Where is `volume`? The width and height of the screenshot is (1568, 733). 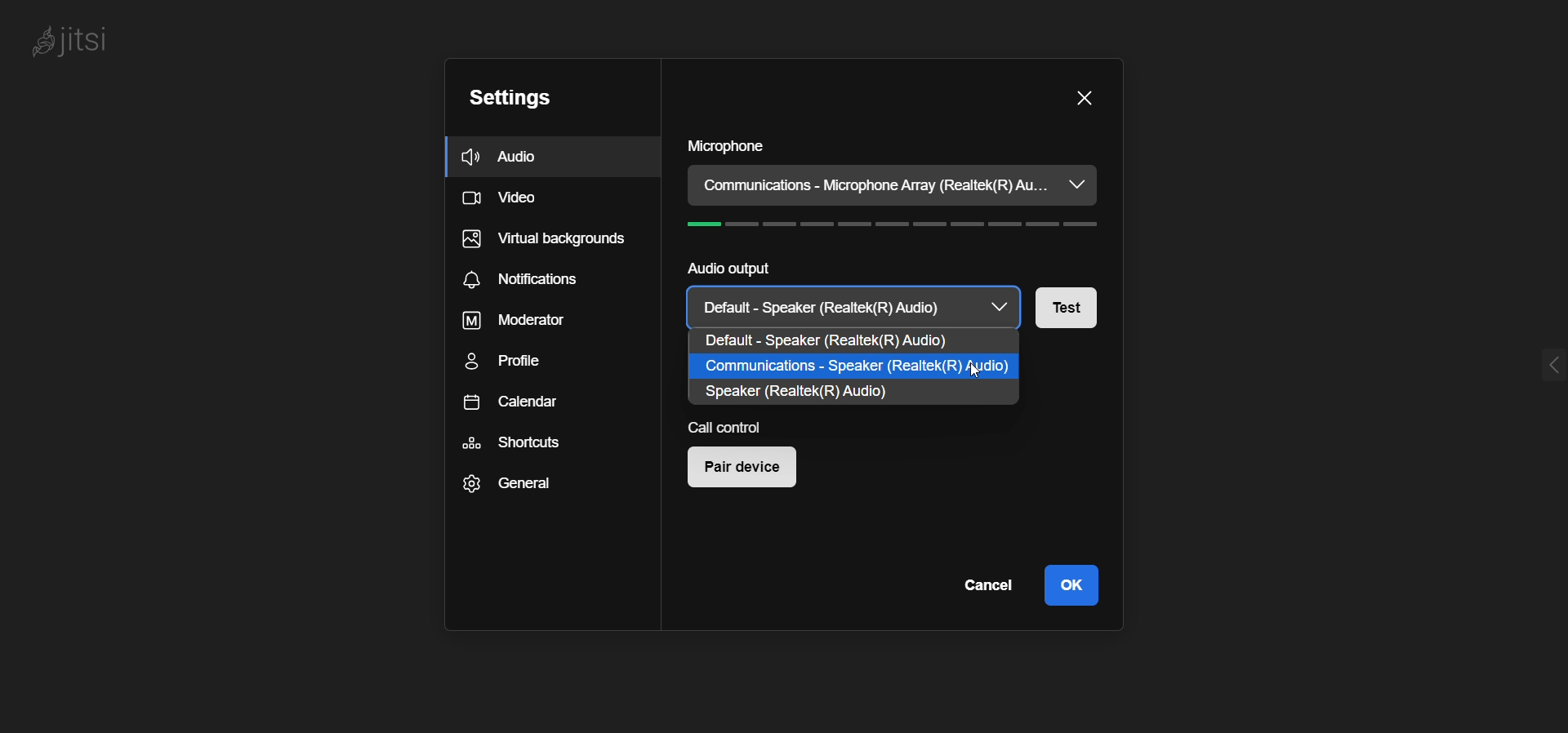
volume is located at coordinates (901, 227).